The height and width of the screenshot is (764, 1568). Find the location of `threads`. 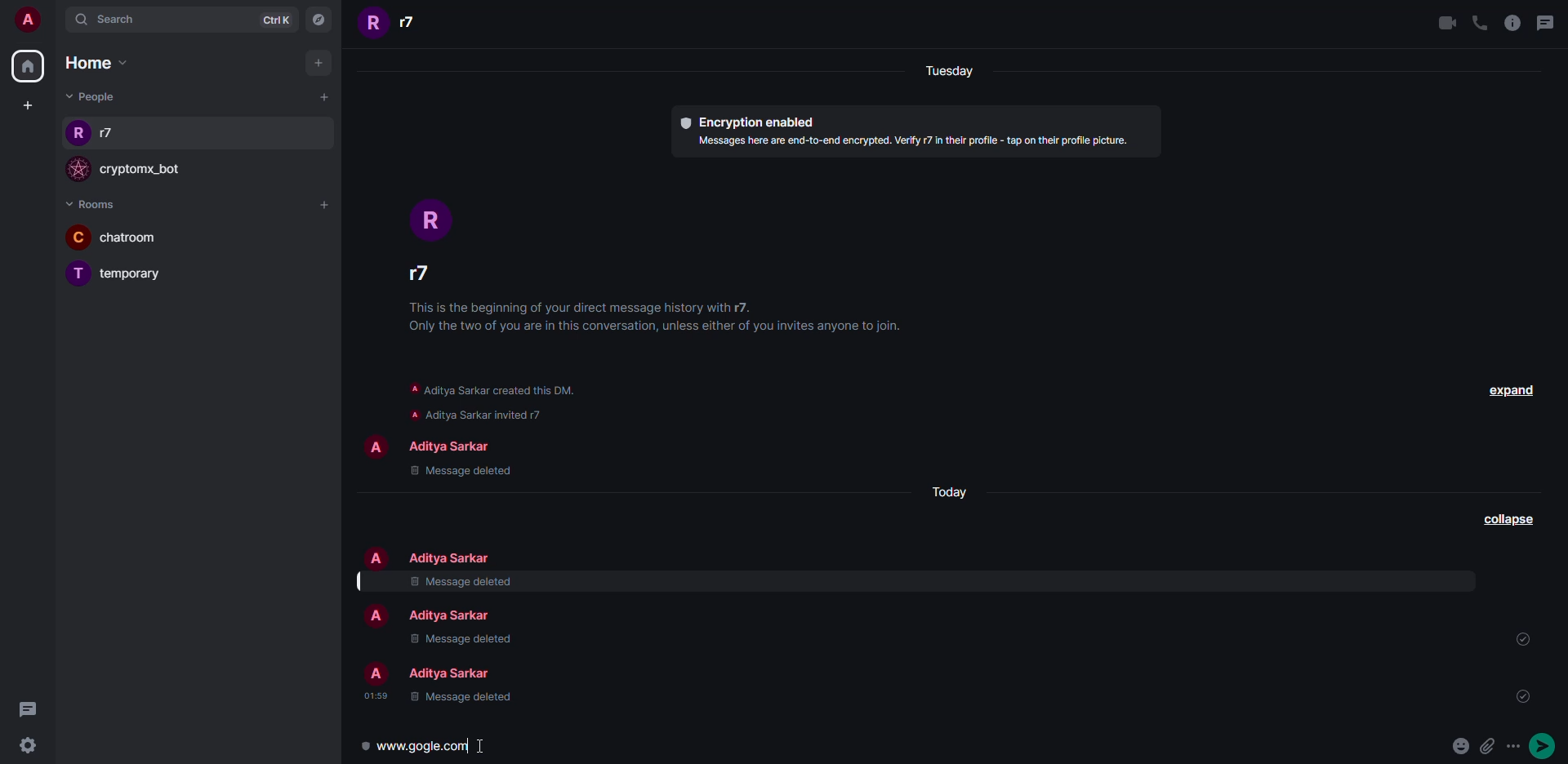

threads is located at coordinates (27, 707).